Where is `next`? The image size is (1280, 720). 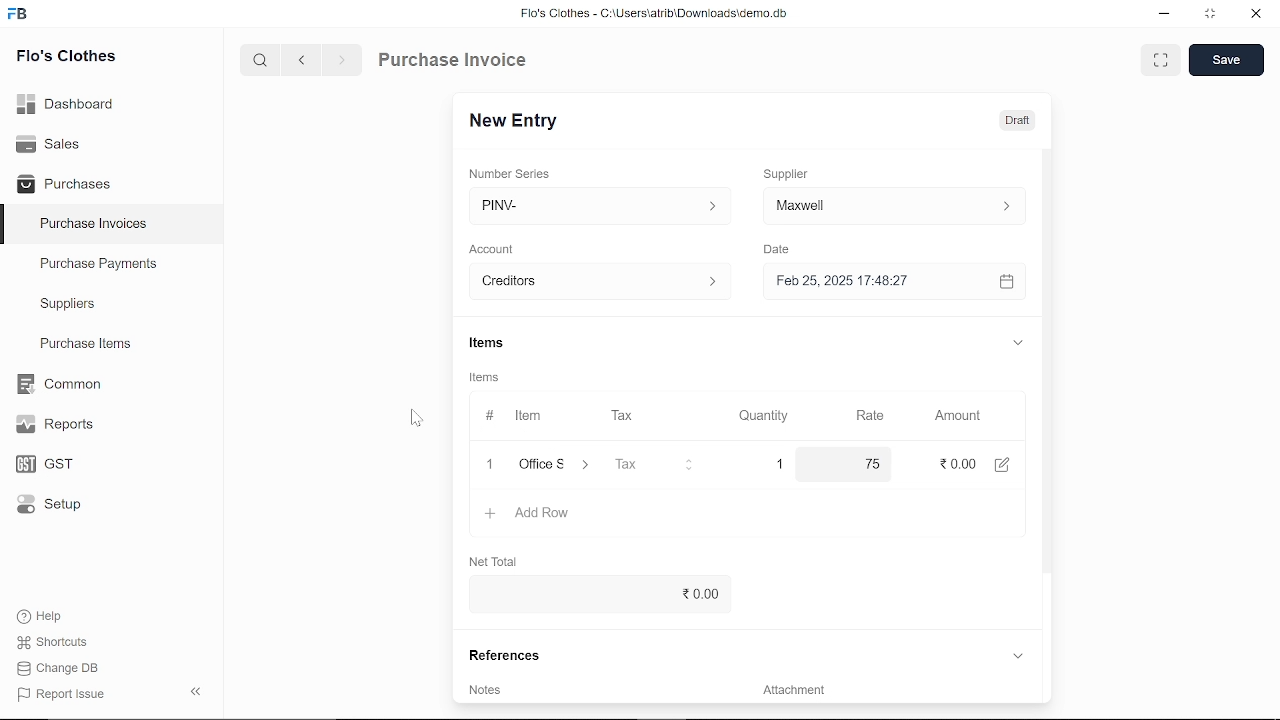
next is located at coordinates (342, 63).